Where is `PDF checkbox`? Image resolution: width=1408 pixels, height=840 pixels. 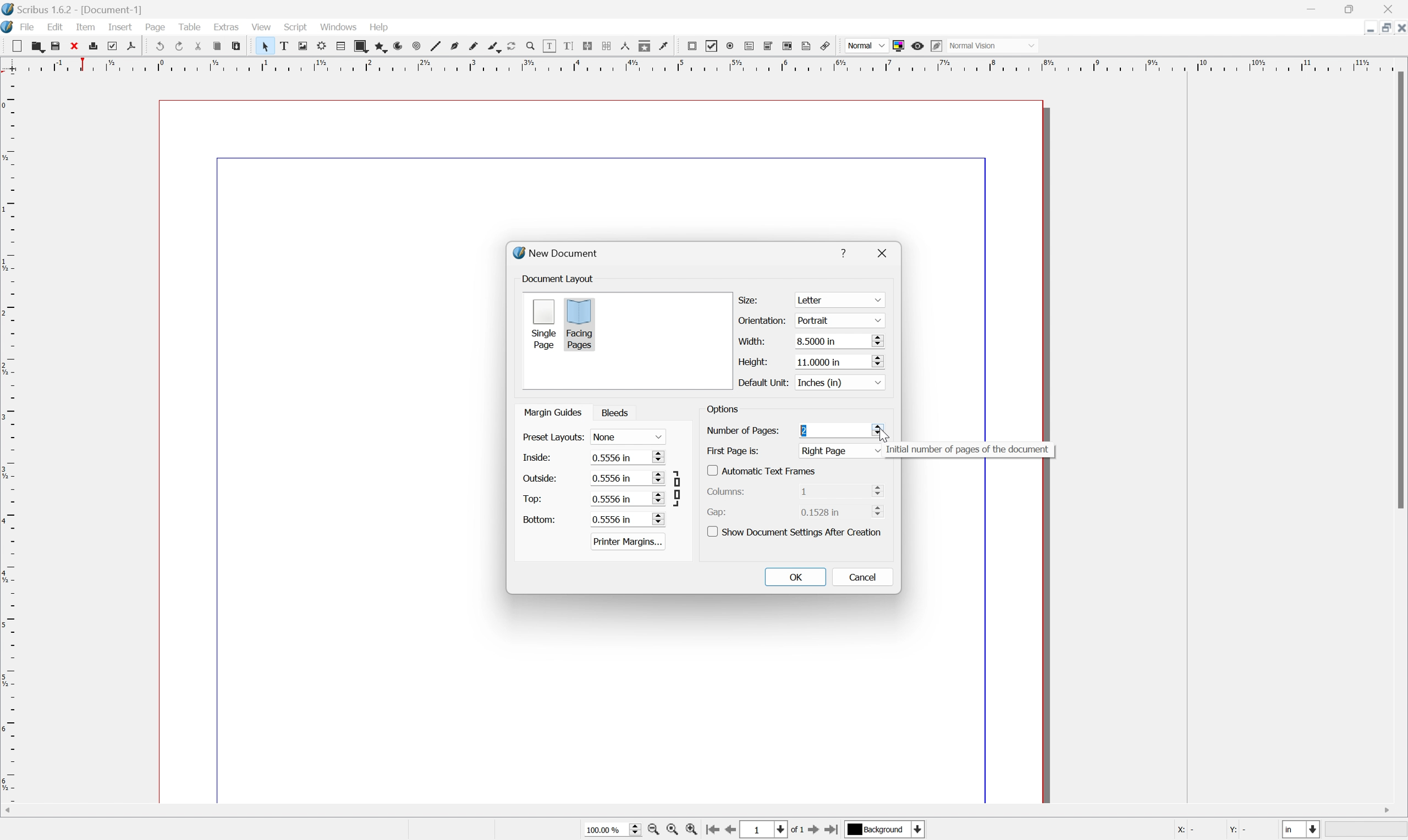
PDF checkbox is located at coordinates (711, 45).